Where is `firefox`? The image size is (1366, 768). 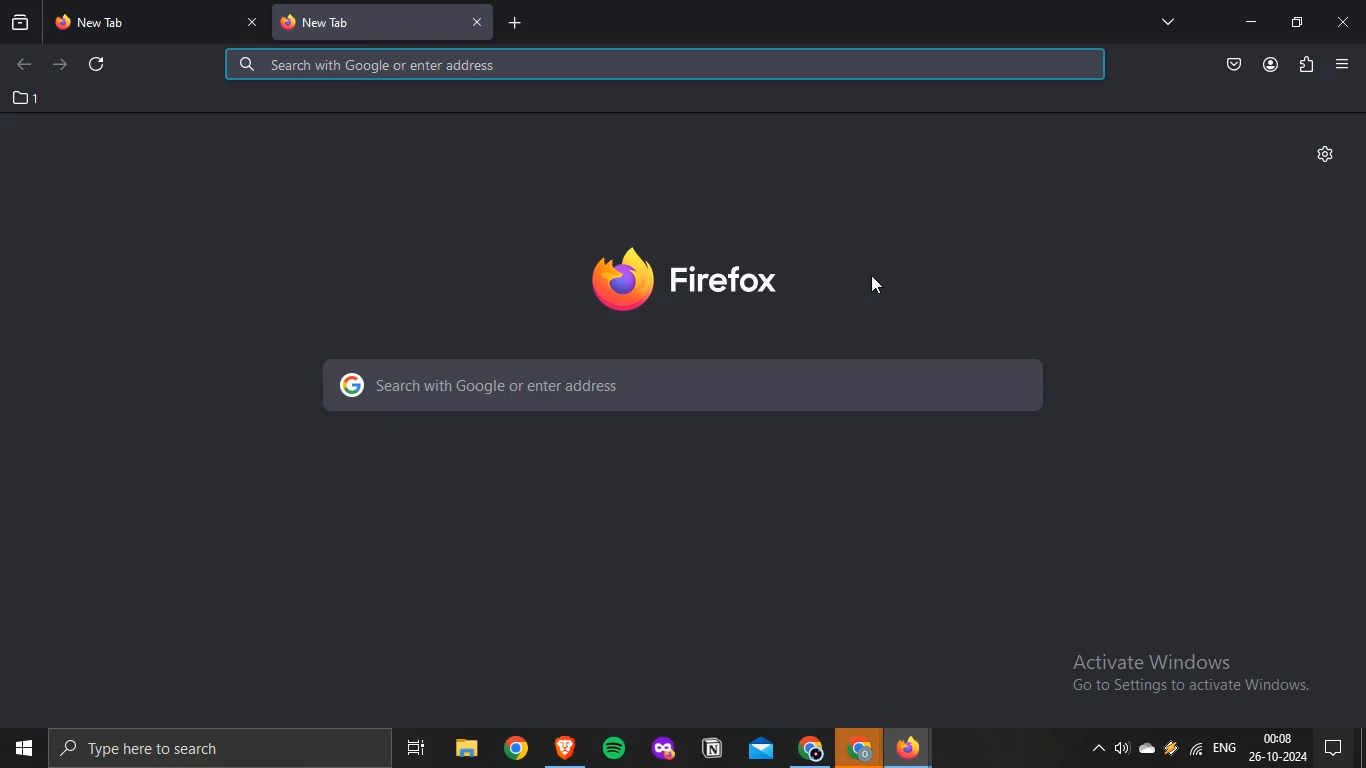
firefox is located at coordinates (915, 747).